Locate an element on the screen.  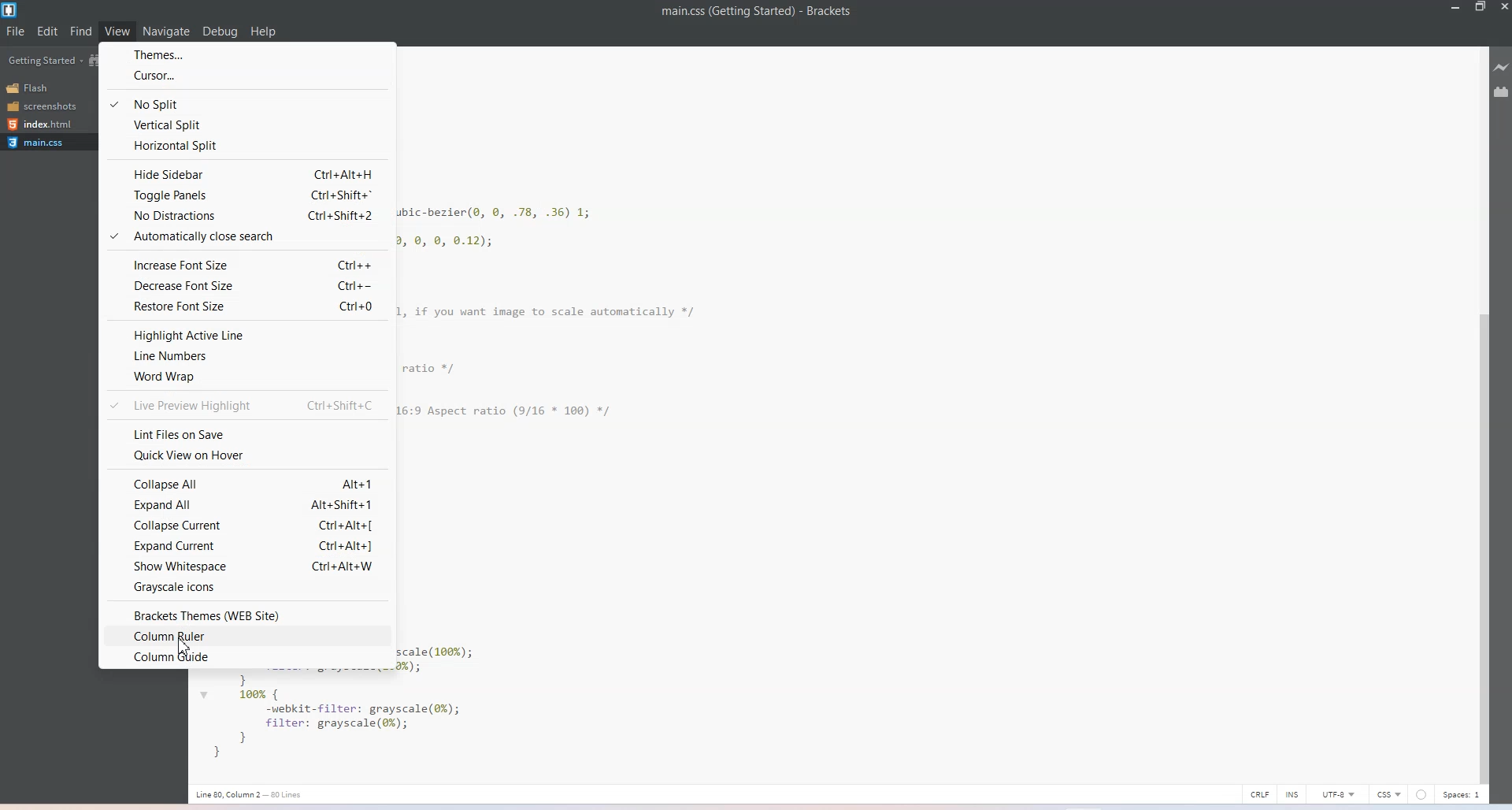
Word wrap is located at coordinates (246, 377).